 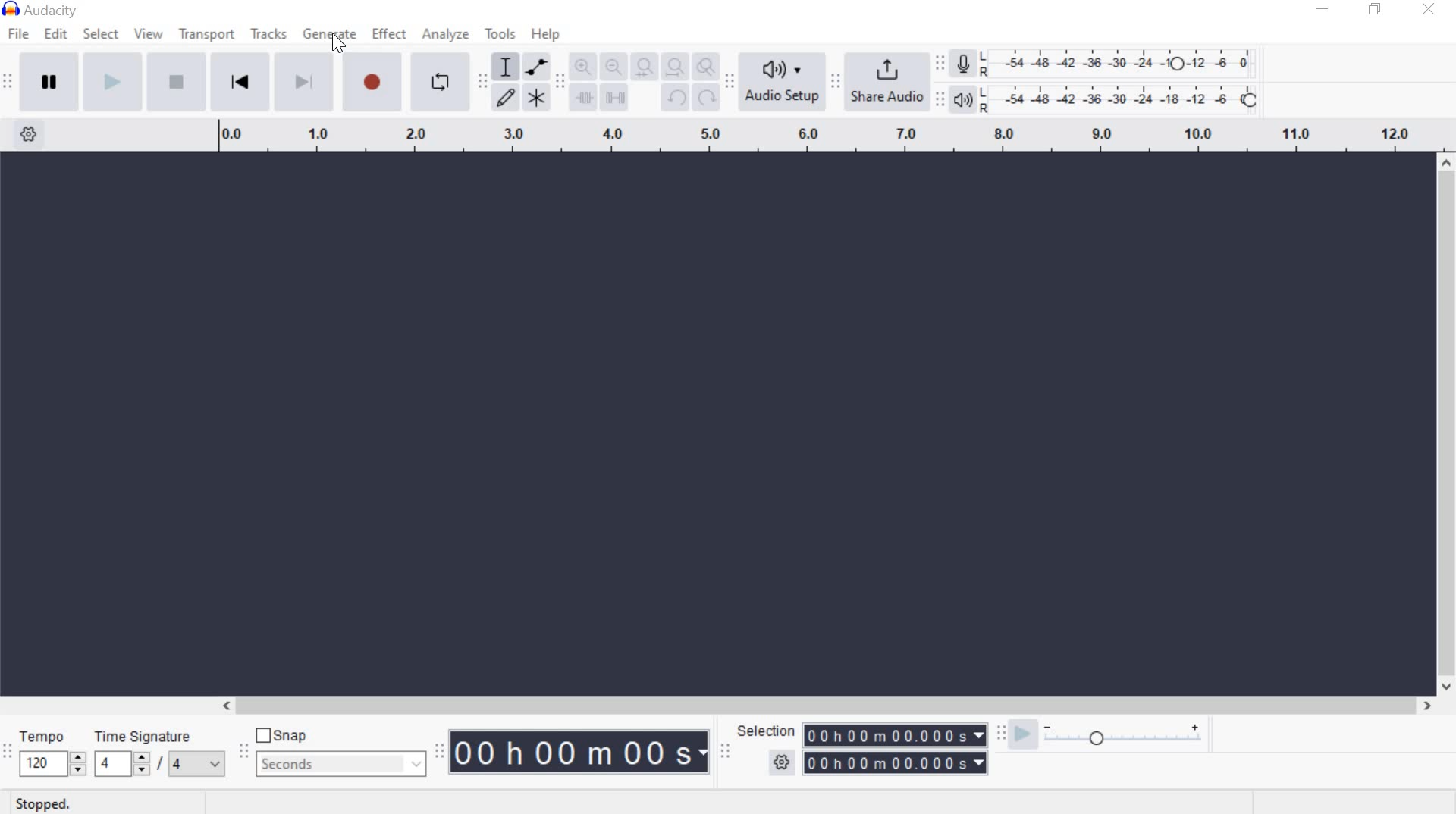 What do you see at coordinates (534, 67) in the screenshot?
I see `Envelope tool` at bounding box center [534, 67].